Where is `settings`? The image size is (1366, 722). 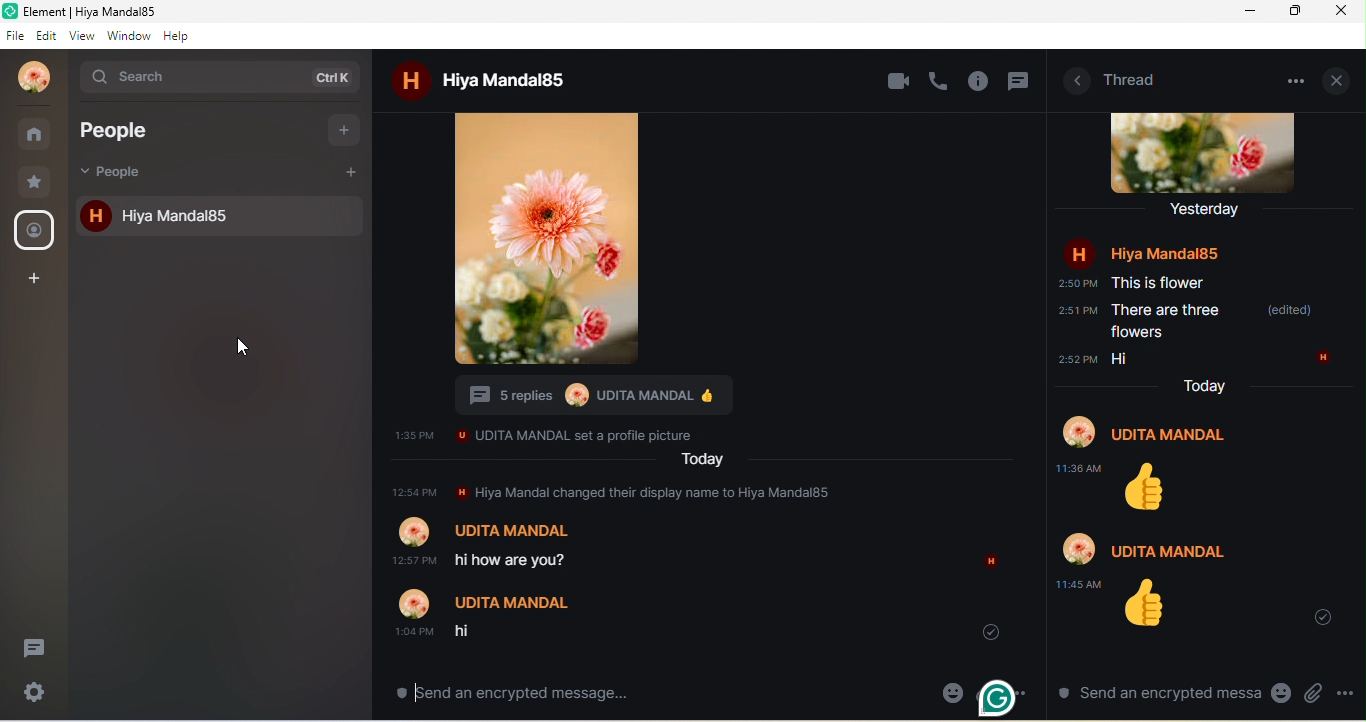 settings is located at coordinates (35, 694).